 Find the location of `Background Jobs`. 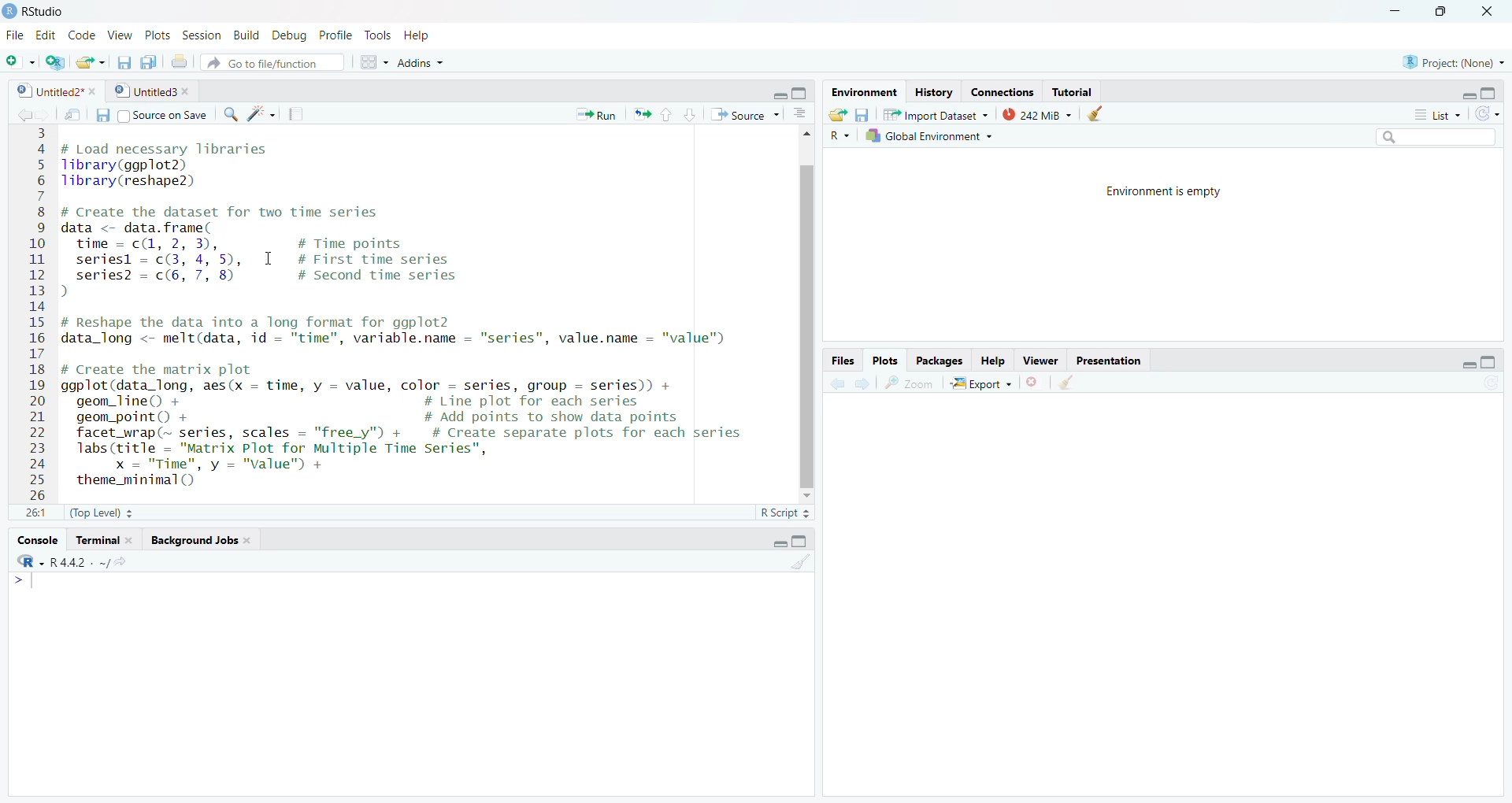

Background Jobs is located at coordinates (201, 540).